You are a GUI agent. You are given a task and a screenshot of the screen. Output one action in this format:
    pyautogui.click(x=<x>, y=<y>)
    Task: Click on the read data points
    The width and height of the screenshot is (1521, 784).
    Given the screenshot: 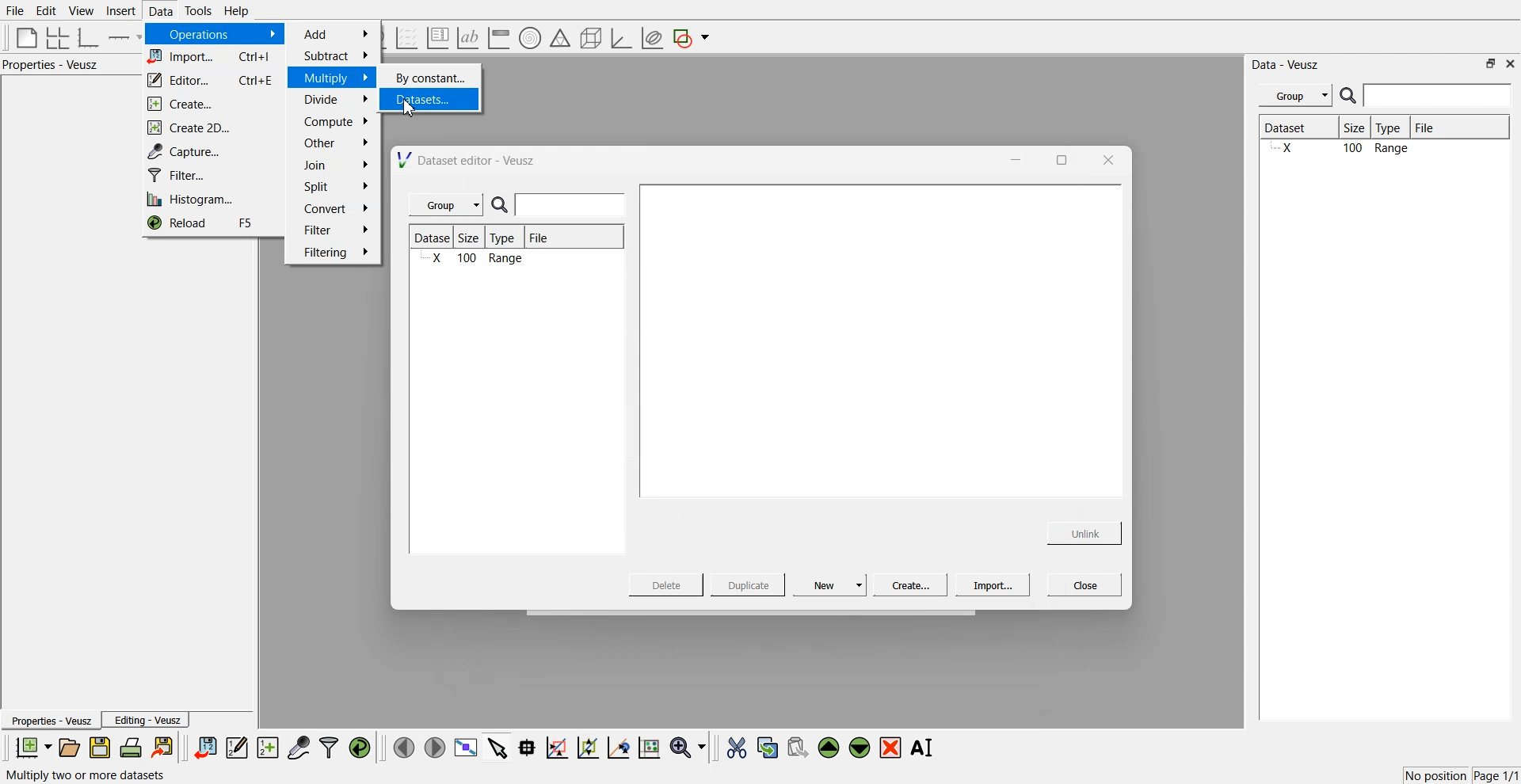 What is the action you would take?
    pyautogui.click(x=527, y=748)
    